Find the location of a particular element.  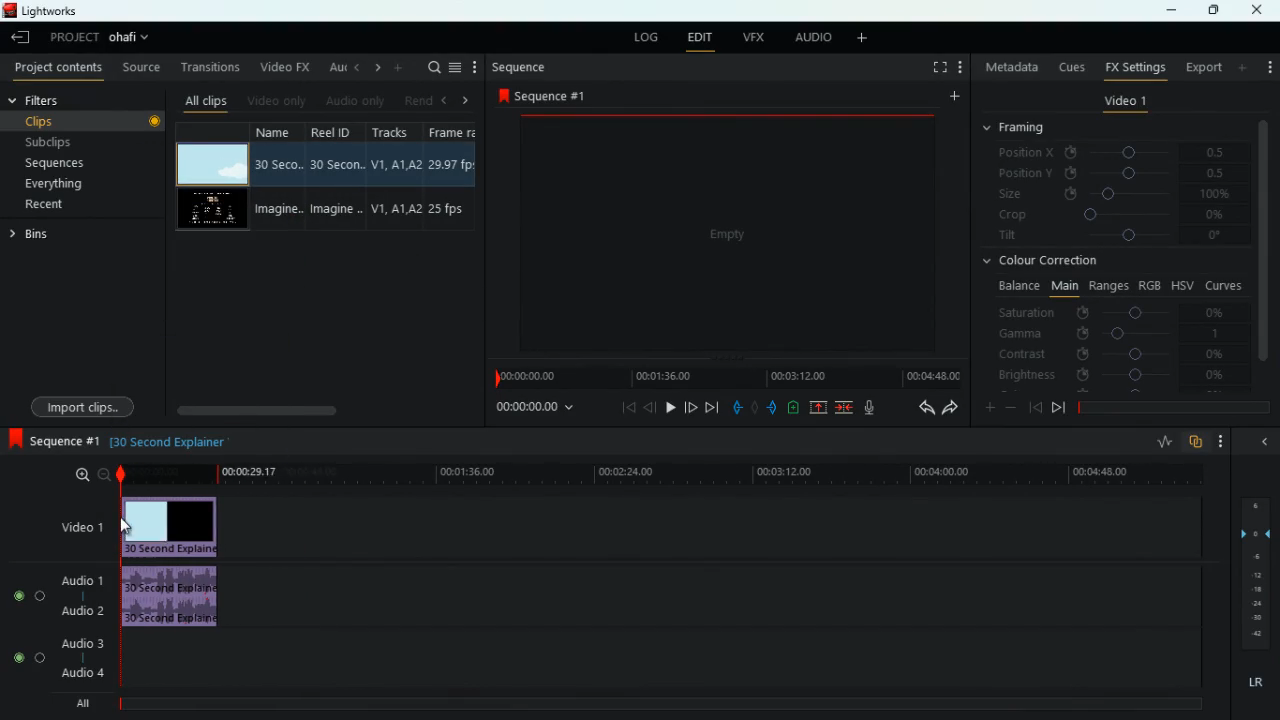

sequence 1 is located at coordinates (53, 441).